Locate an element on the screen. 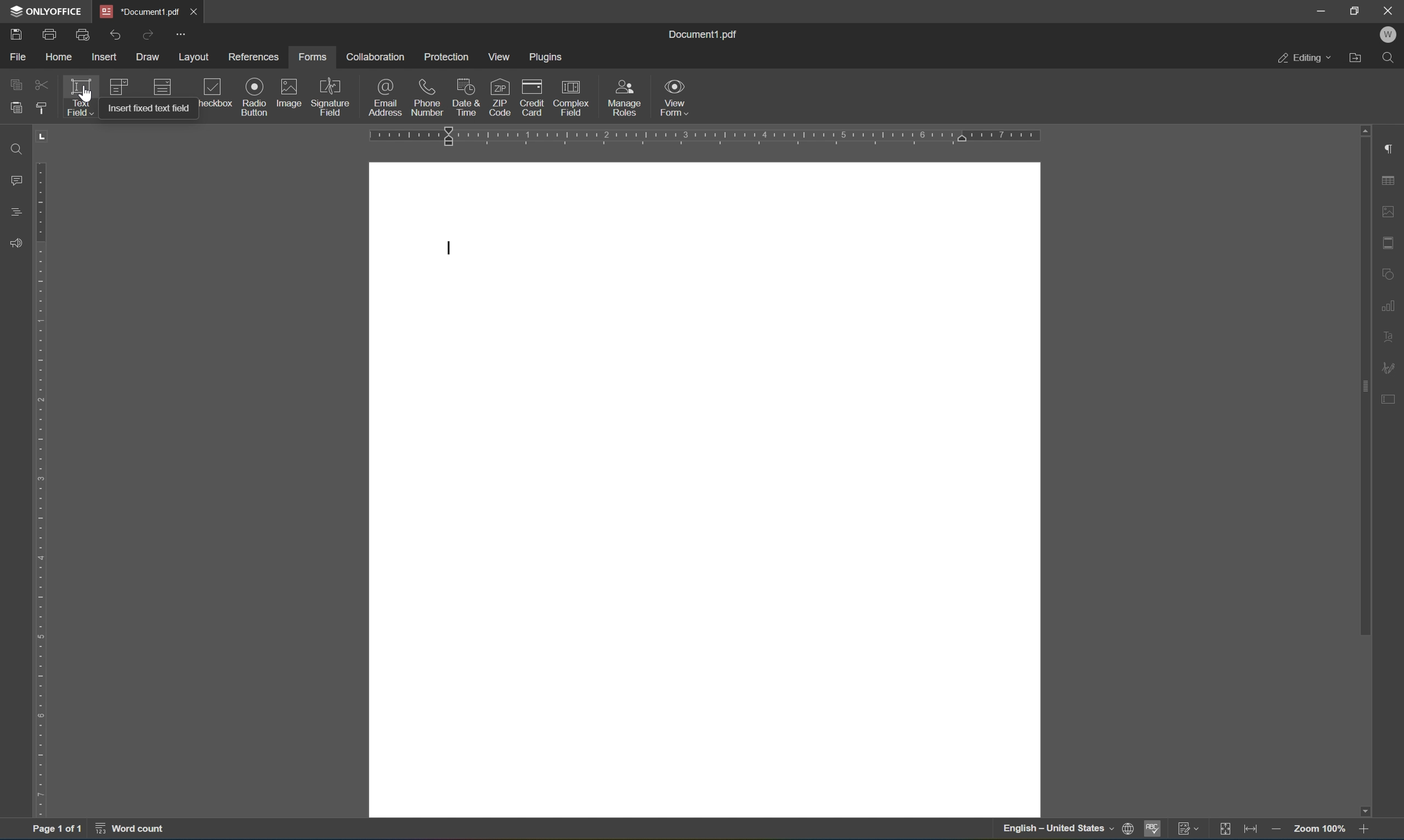 This screenshot has height=840, width=1404. paragraph settings is located at coordinates (1389, 147).